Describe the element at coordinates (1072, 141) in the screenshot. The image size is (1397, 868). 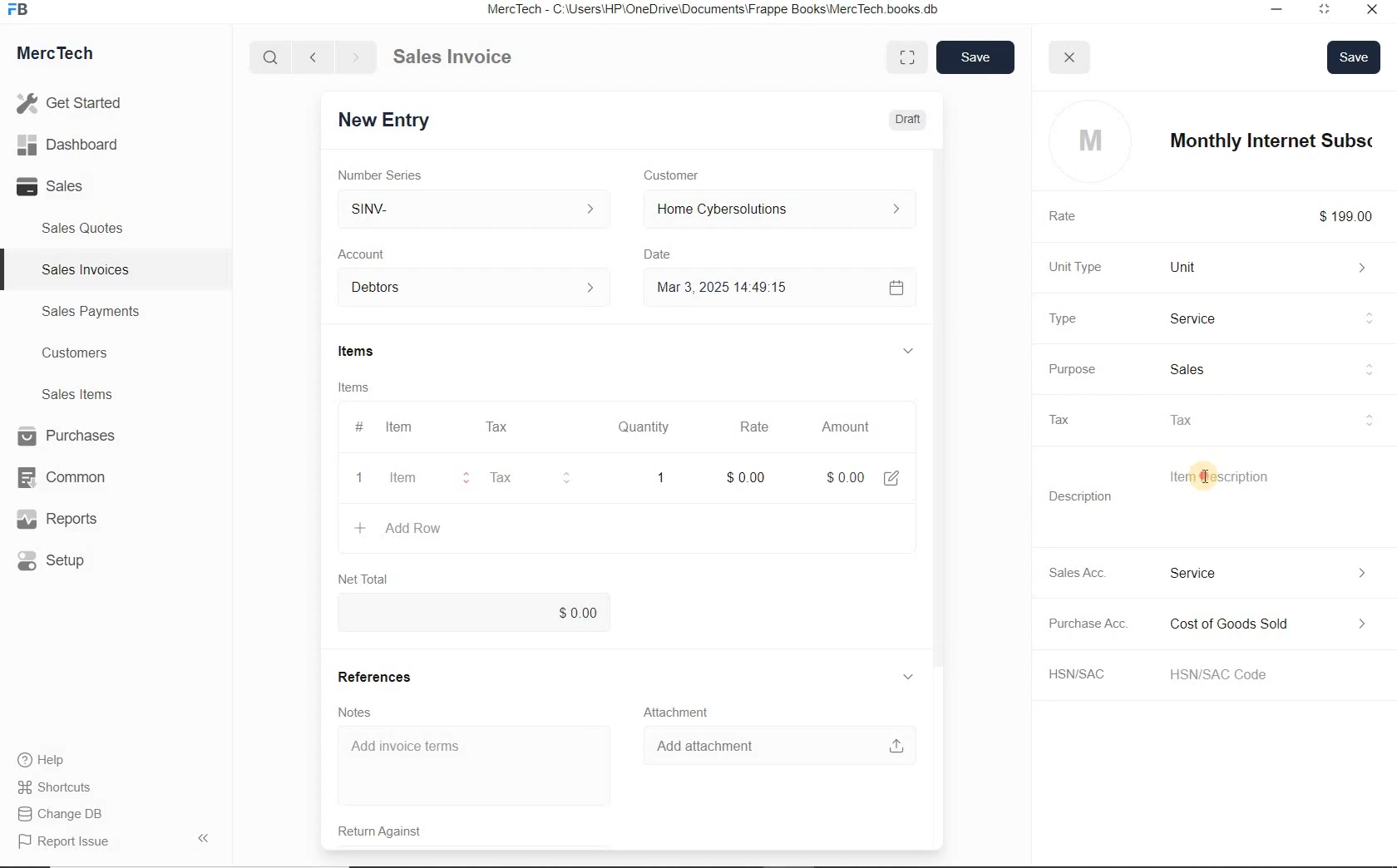
I see `profile logo` at that location.